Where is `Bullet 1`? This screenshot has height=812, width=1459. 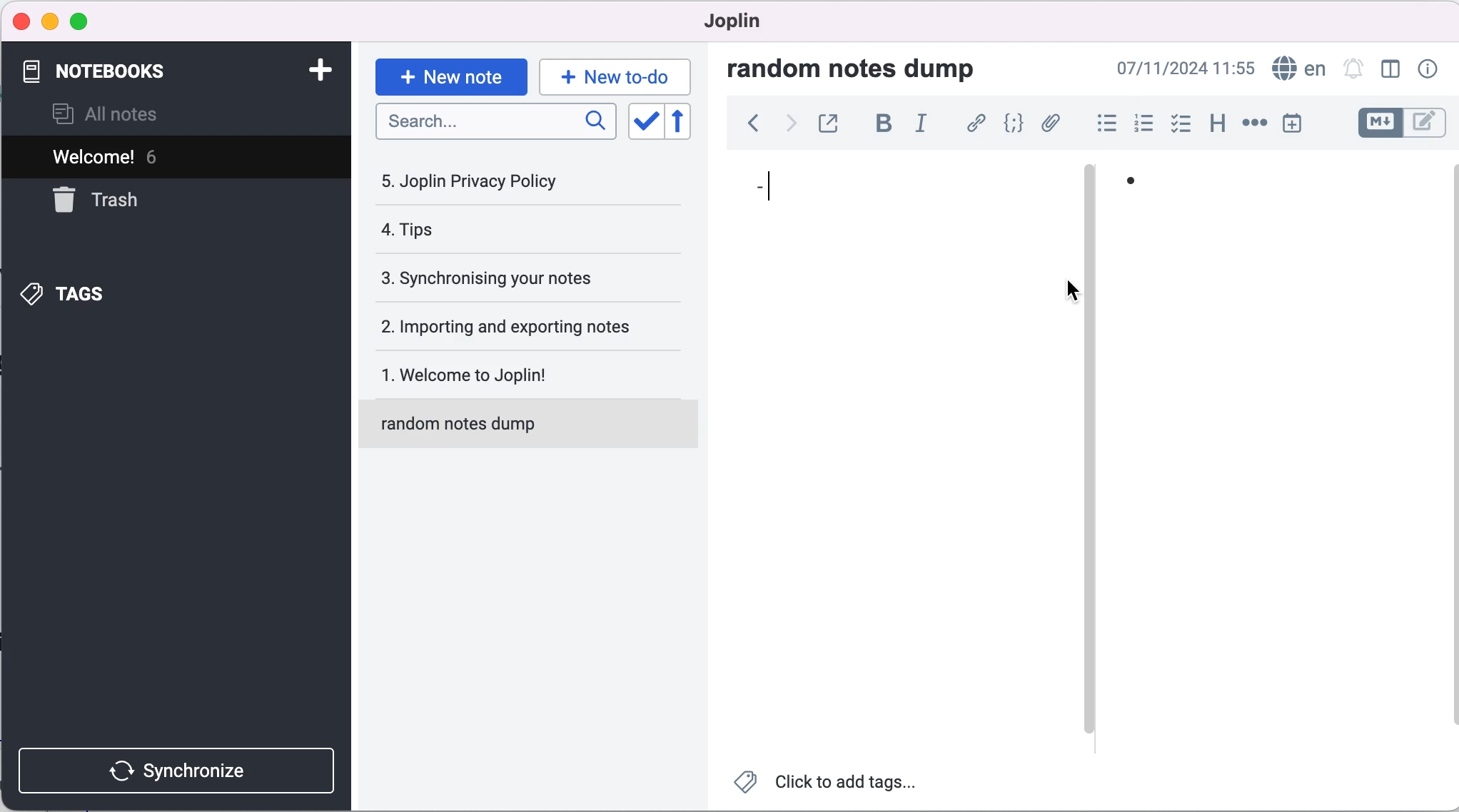
Bullet 1 is located at coordinates (889, 202).